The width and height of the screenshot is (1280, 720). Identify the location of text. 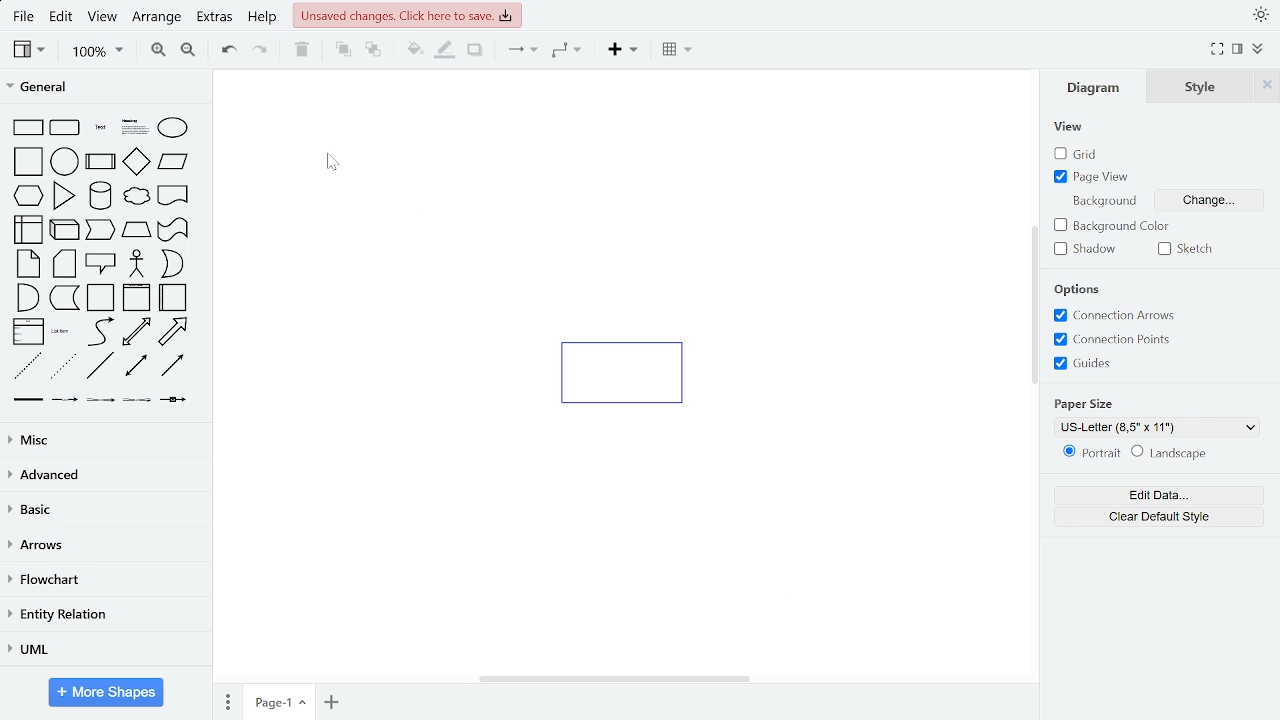
(1103, 201).